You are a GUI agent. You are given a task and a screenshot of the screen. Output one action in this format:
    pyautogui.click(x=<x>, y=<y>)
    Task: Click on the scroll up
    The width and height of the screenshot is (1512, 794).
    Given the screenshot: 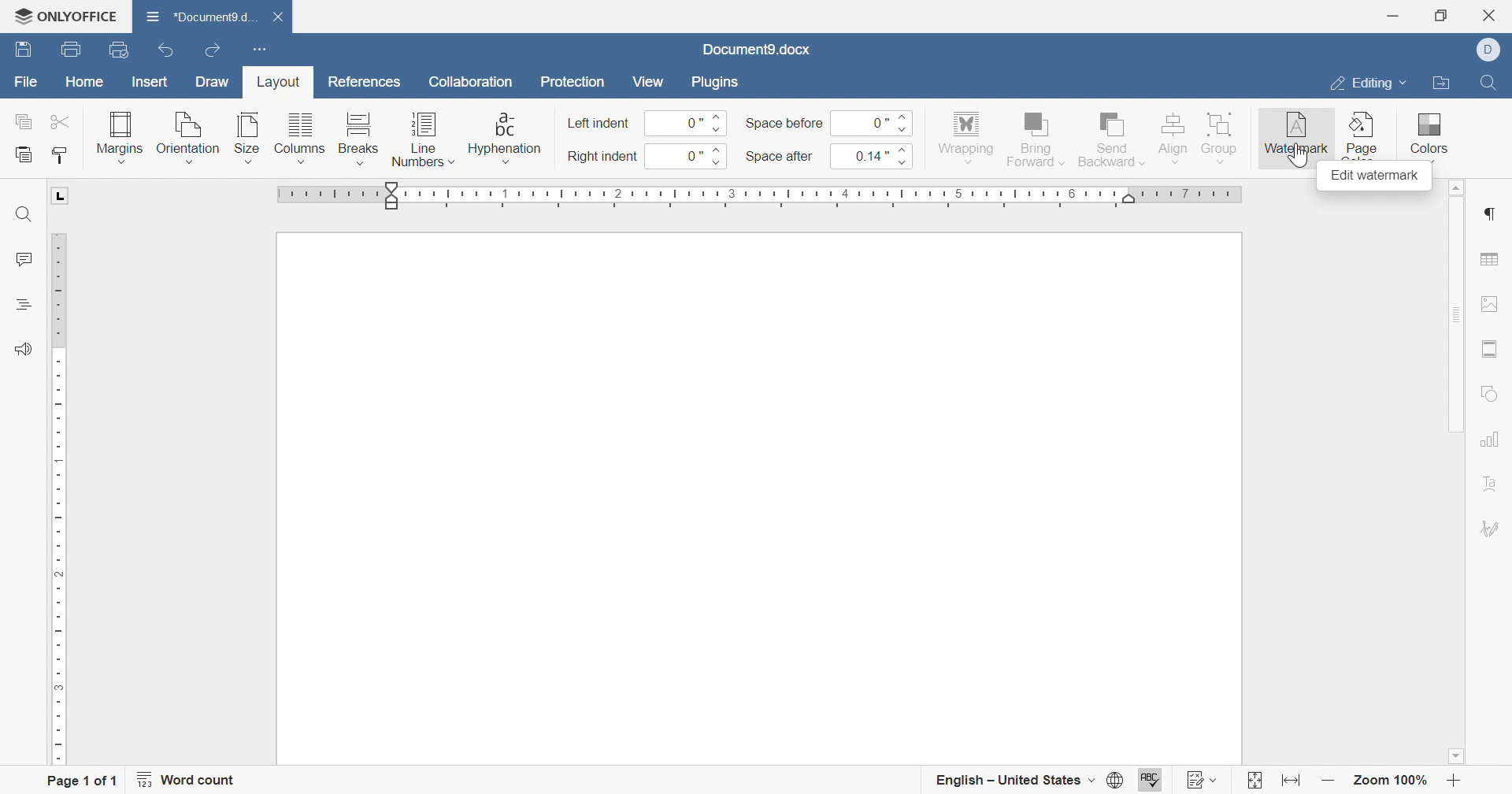 What is the action you would take?
    pyautogui.click(x=1451, y=187)
    